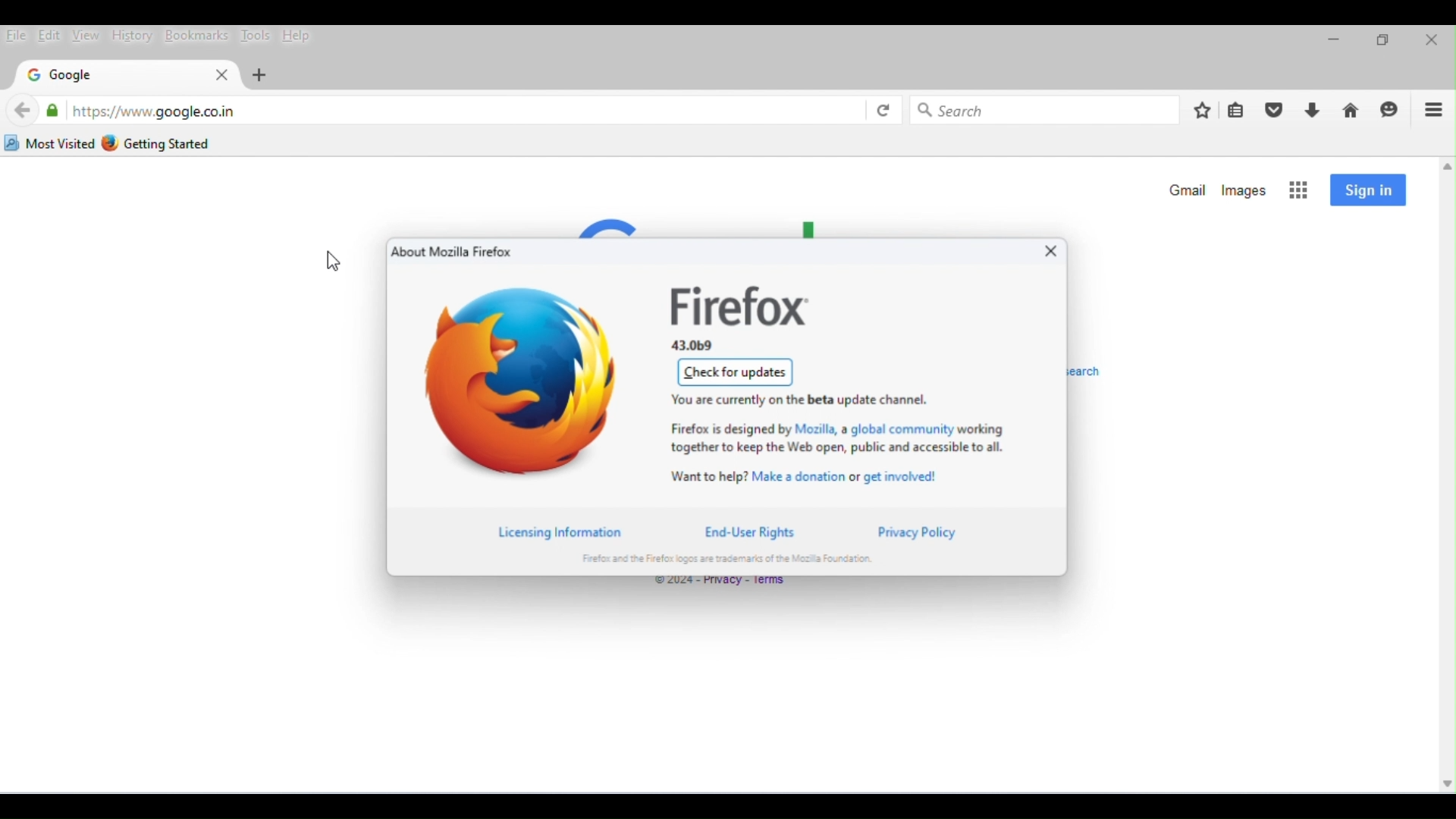 This screenshot has width=1456, height=819. Describe the element at coordinates (812, 475) in the screenshot. I see `link for helping mozilla by donation/ getting involved` at that location.